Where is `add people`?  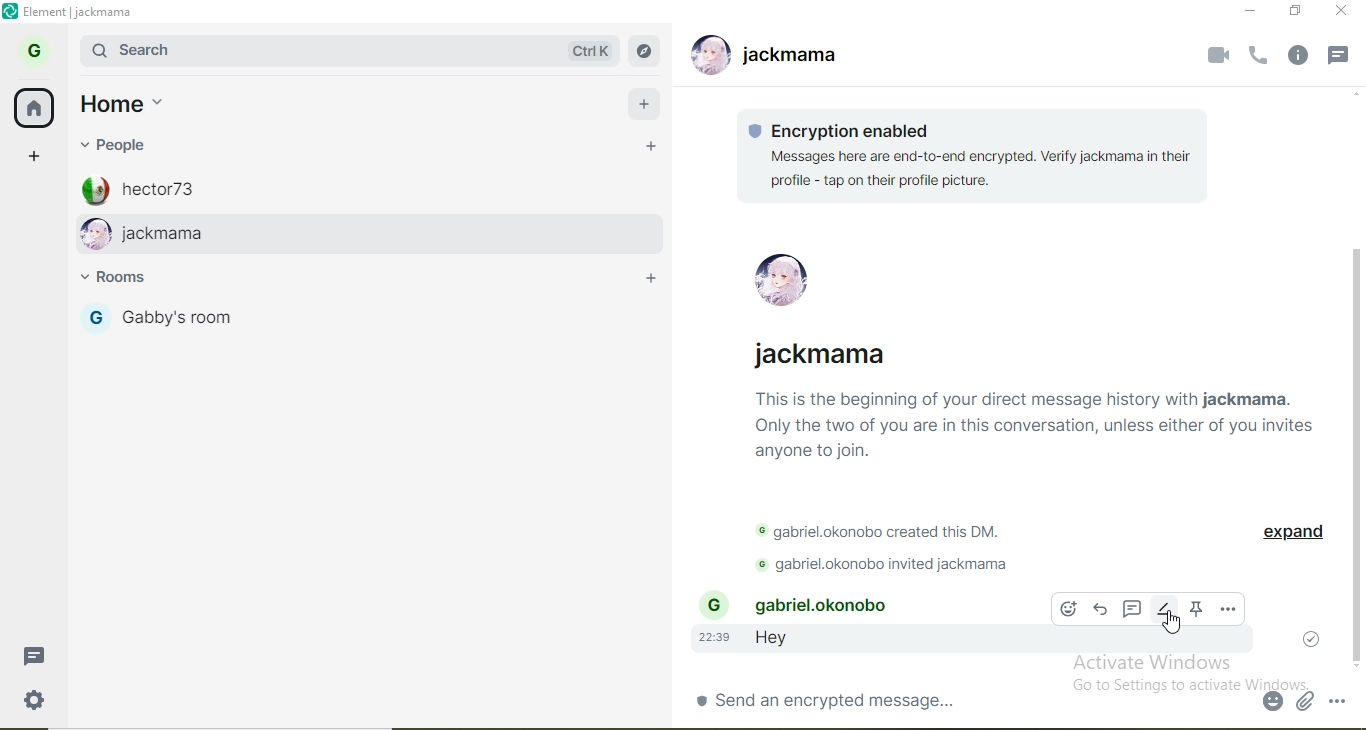 add people is located at coordinates (652, 148).